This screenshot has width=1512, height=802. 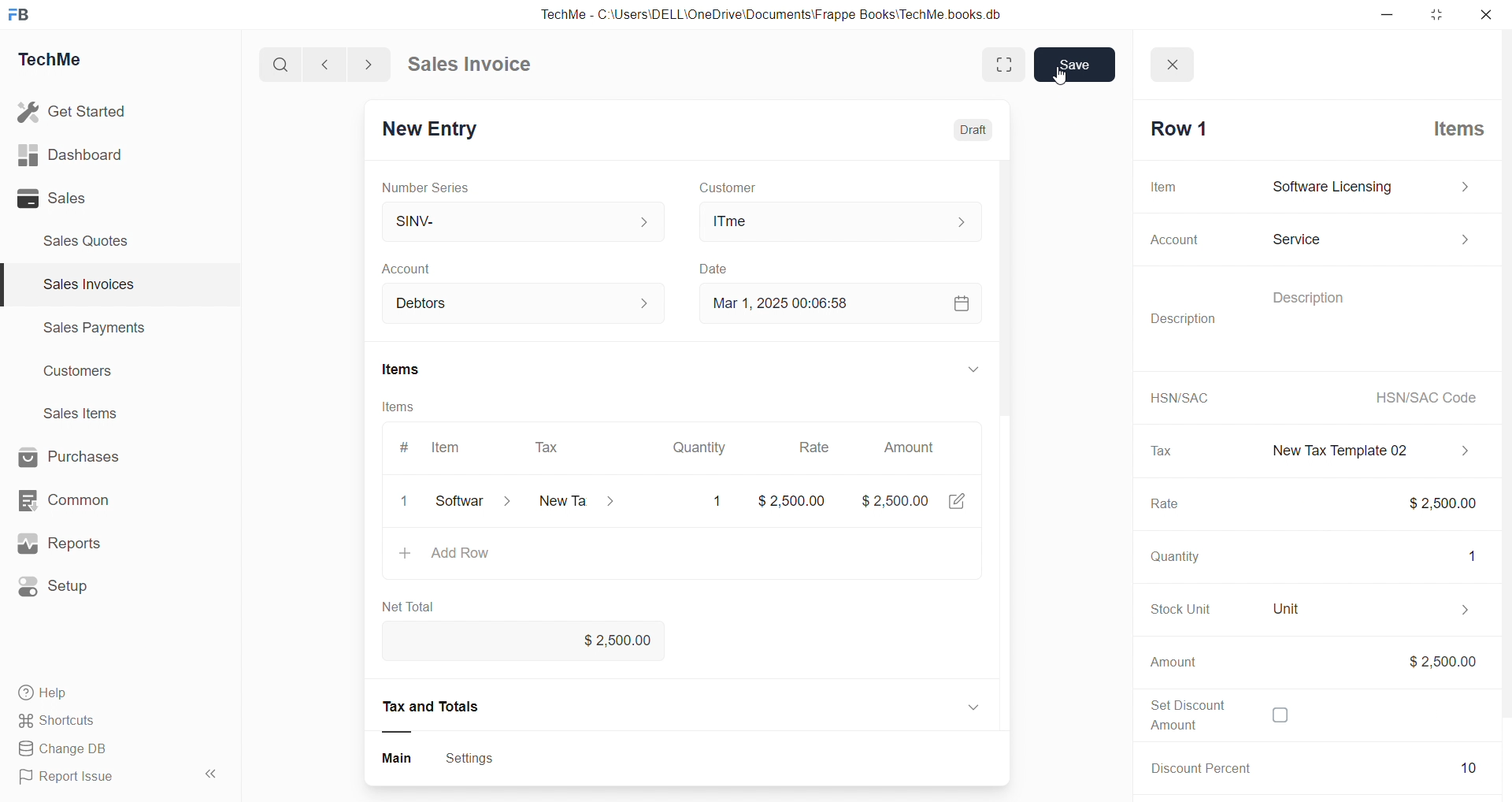 What do you see at coordinates (87, 375) in the screenshot?
I see `Customers` at bounding box center [87, 375].